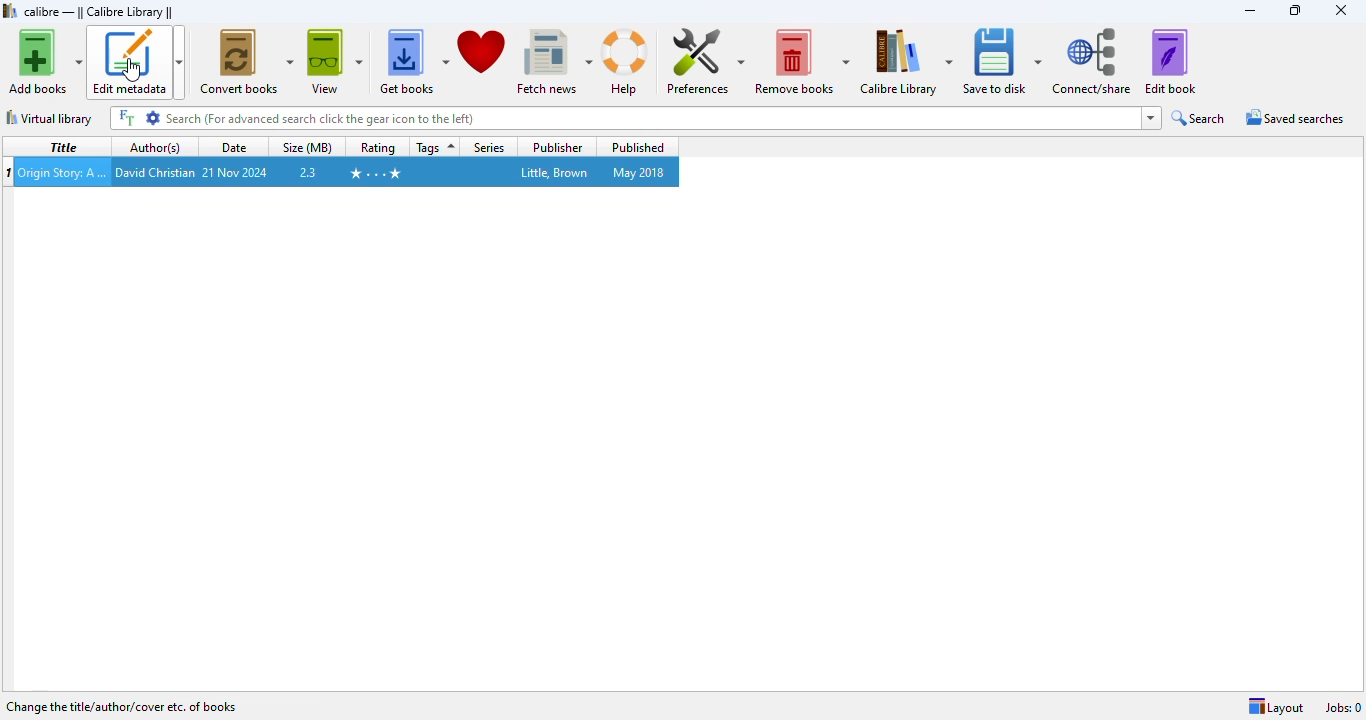  I want to click on Jobs: 0, so click(1343, 707).